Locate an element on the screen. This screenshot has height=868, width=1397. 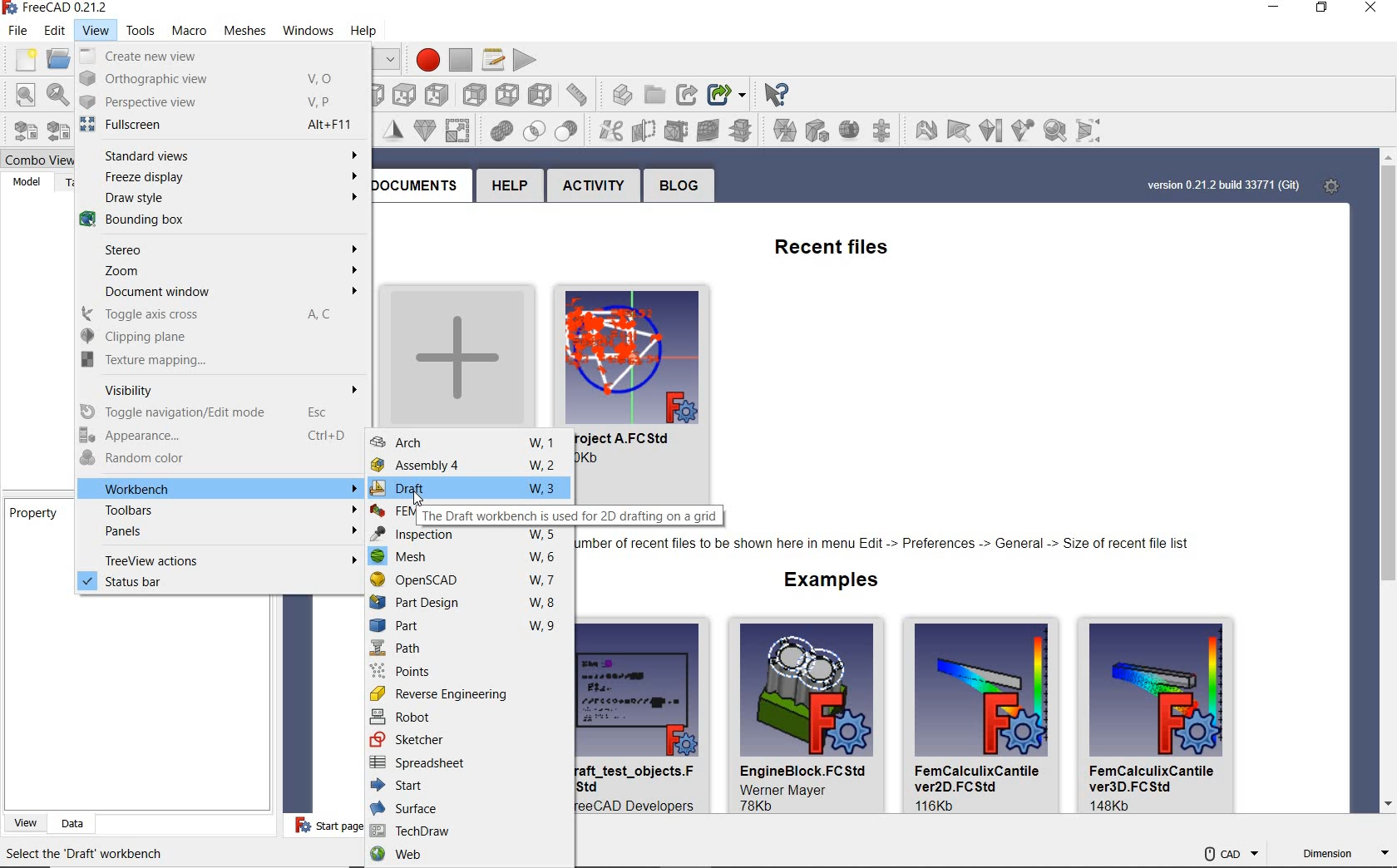
ct the ‘Draft’ workbench is located at coordinates (92, 855).